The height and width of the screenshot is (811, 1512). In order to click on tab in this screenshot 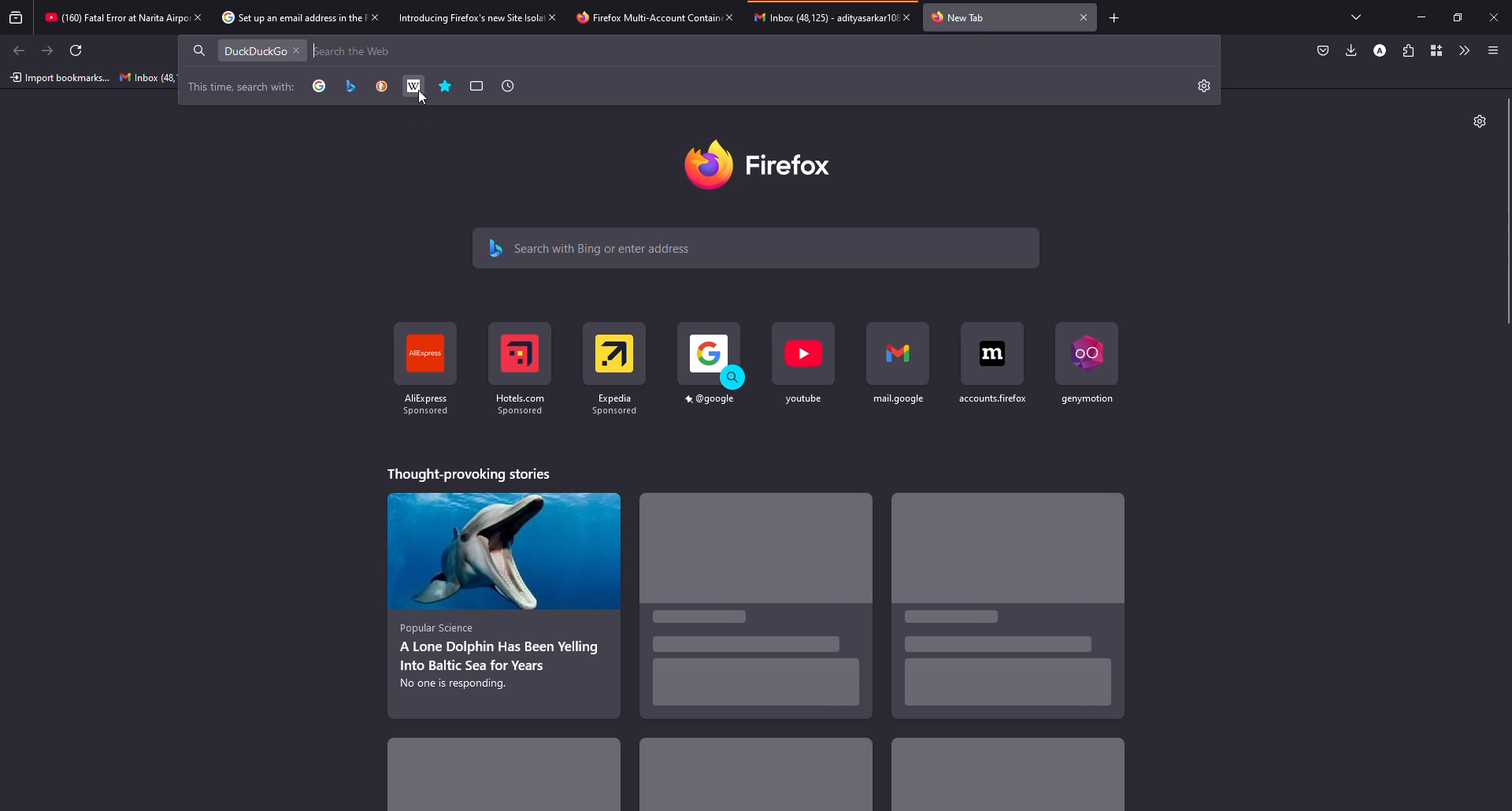, I will do `click(960, 18)`.